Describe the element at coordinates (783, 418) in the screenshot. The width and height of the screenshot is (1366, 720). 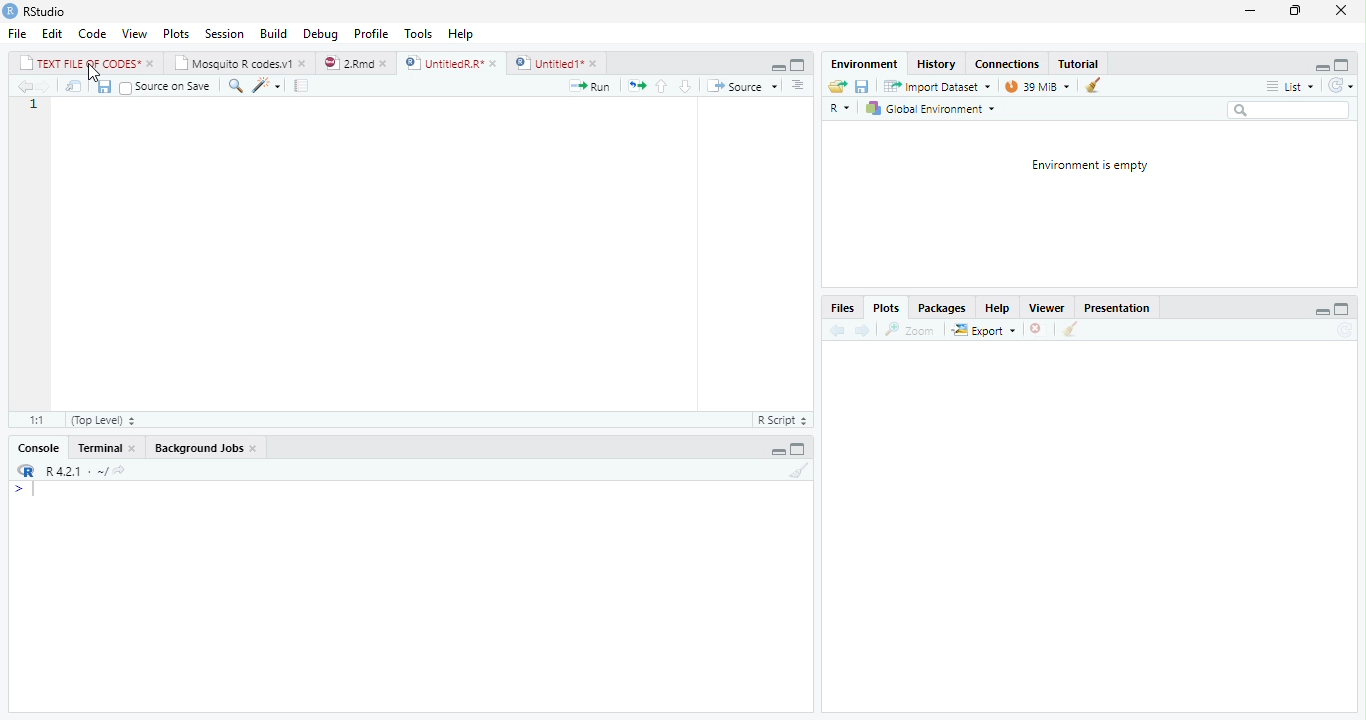
I see `R Script` at that location.